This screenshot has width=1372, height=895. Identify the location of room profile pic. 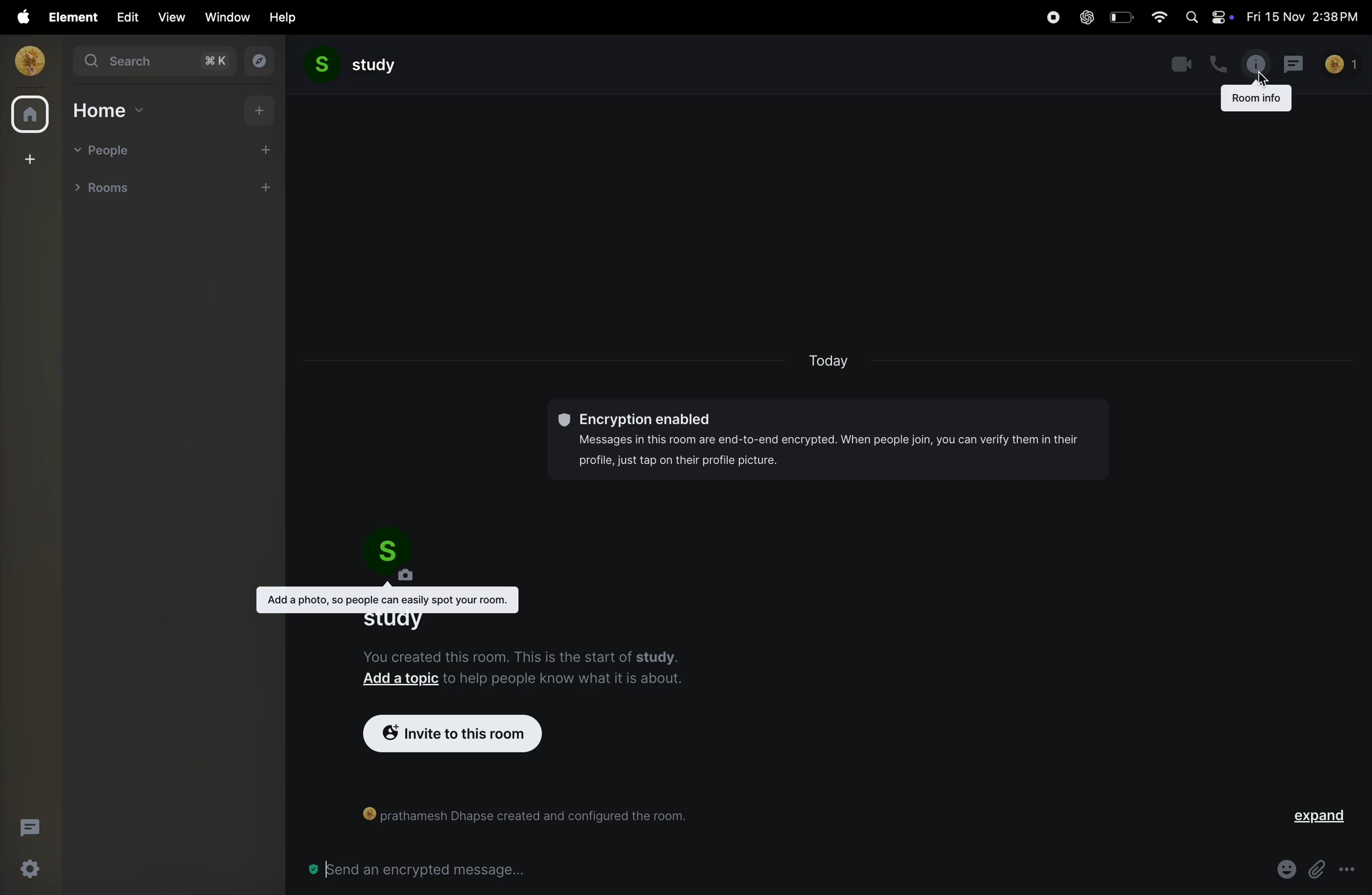
(399, 557).